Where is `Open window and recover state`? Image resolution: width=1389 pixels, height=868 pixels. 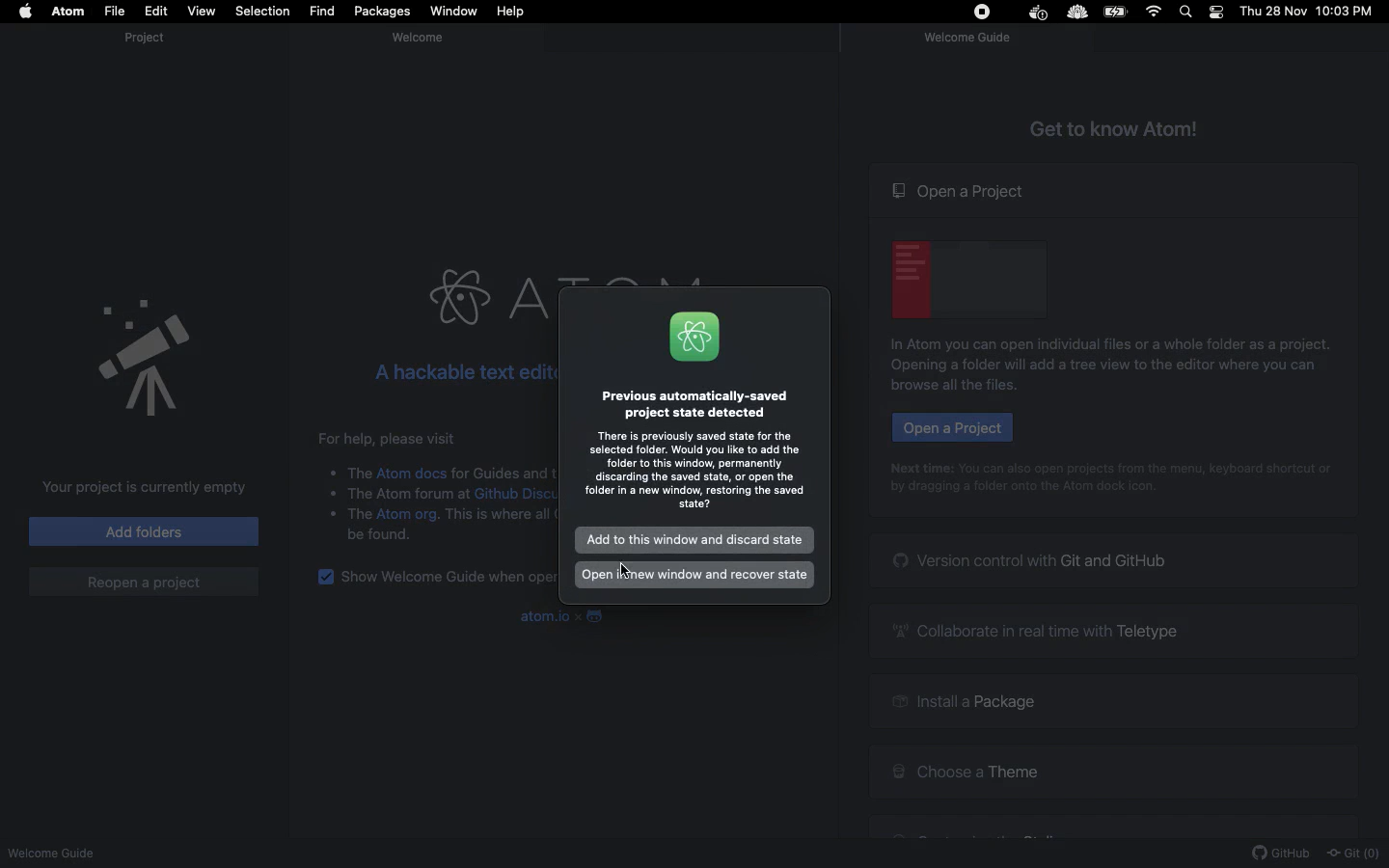
Open window and recover state is located at coordinates (694, 575).